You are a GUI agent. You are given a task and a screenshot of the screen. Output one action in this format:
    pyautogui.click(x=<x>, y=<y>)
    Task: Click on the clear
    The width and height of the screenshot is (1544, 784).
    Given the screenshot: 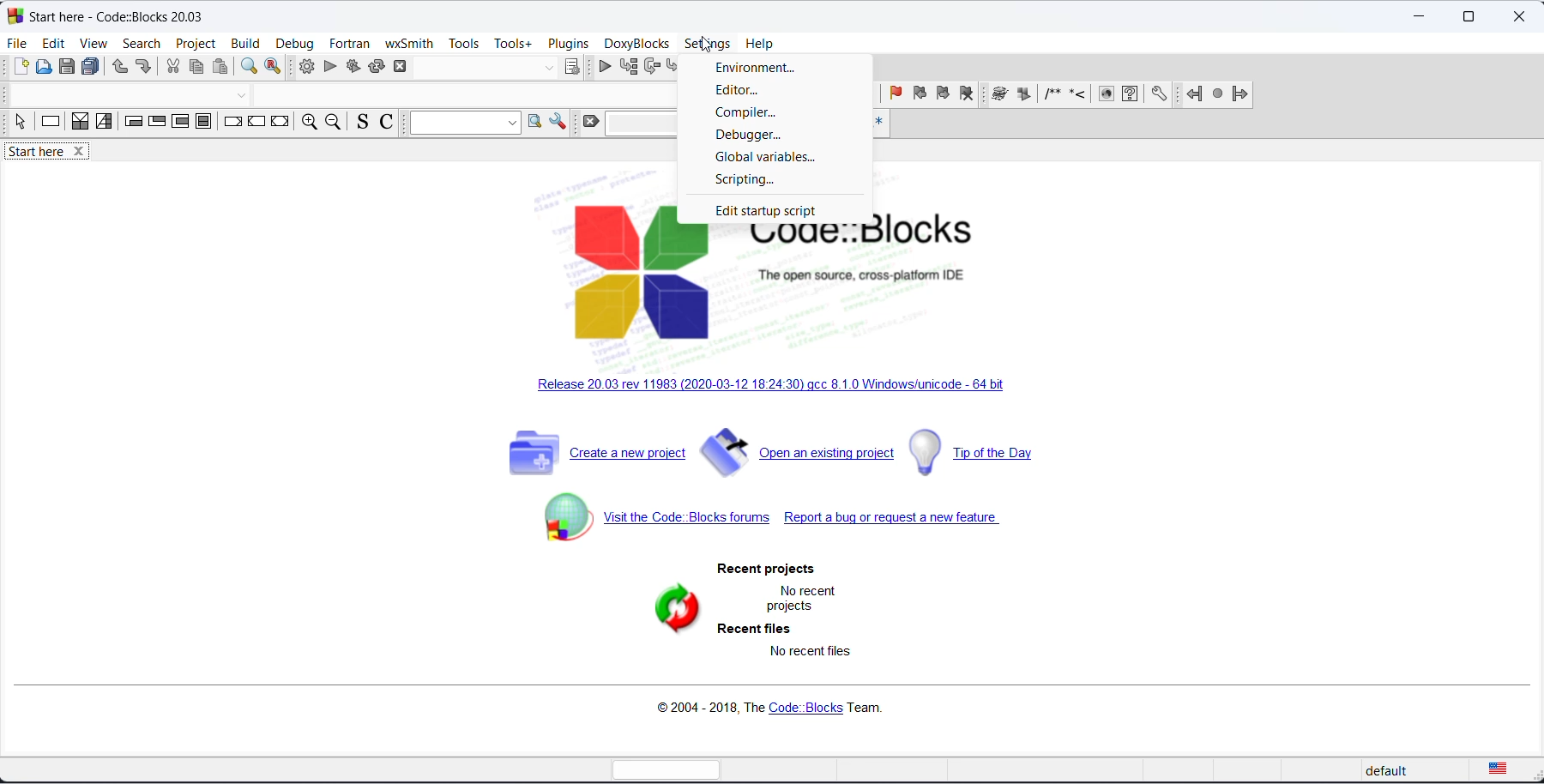 What is the action you would take?
    pyautogui.click(x=591, y=122)
    